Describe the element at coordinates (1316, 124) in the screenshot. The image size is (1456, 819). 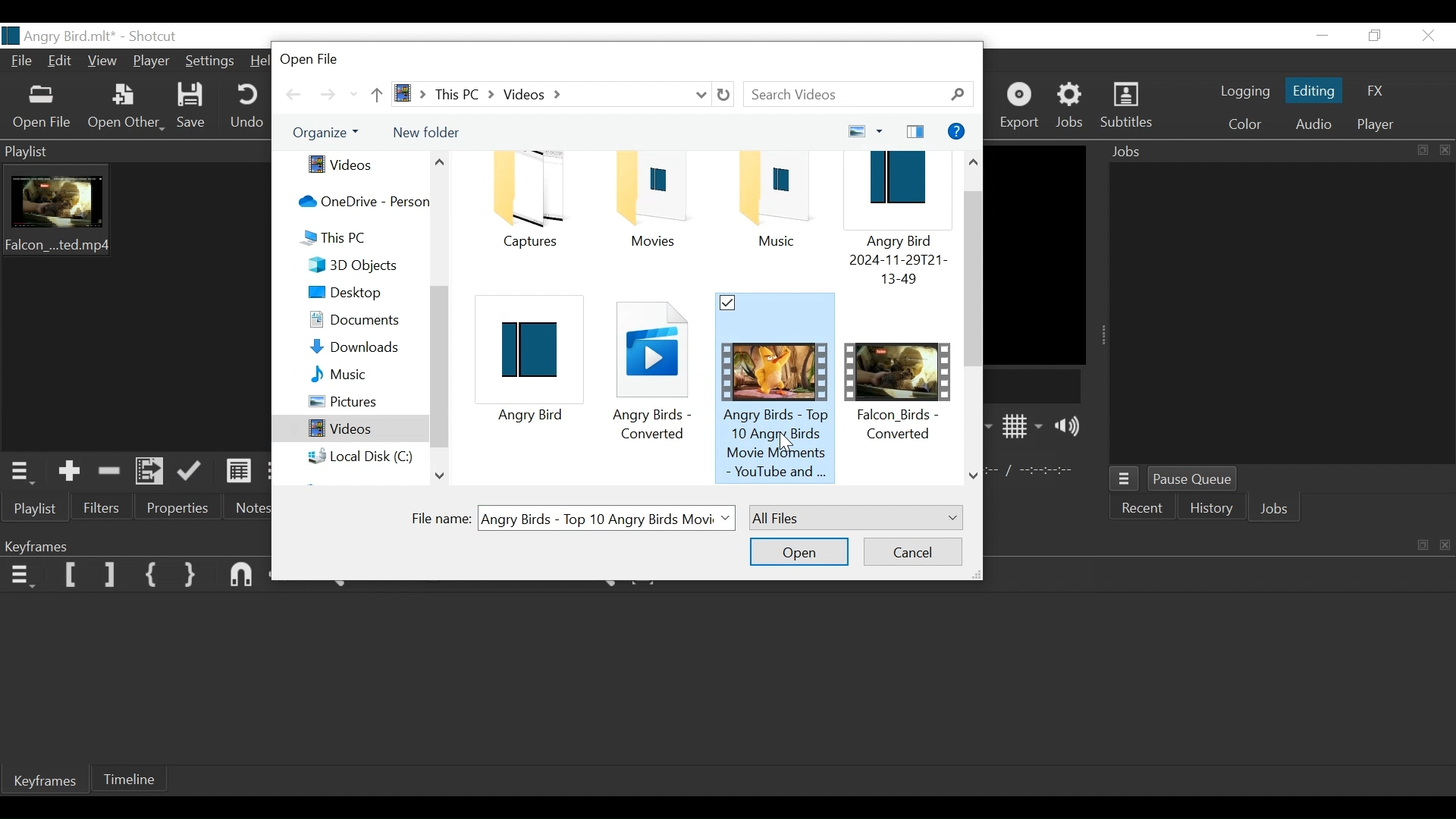
I see `Audio` at that location.